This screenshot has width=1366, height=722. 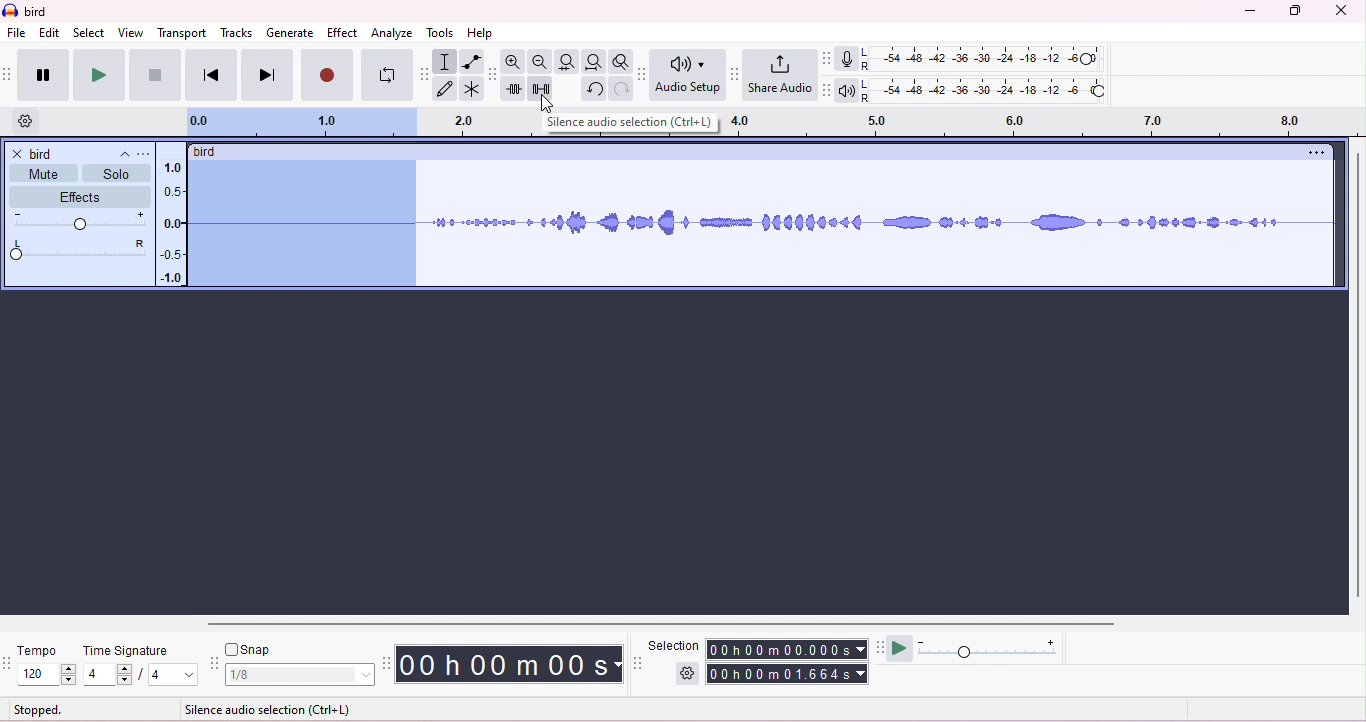 I want to click on silence audio selection (Ctrl+L), so click(x=633, y=124).